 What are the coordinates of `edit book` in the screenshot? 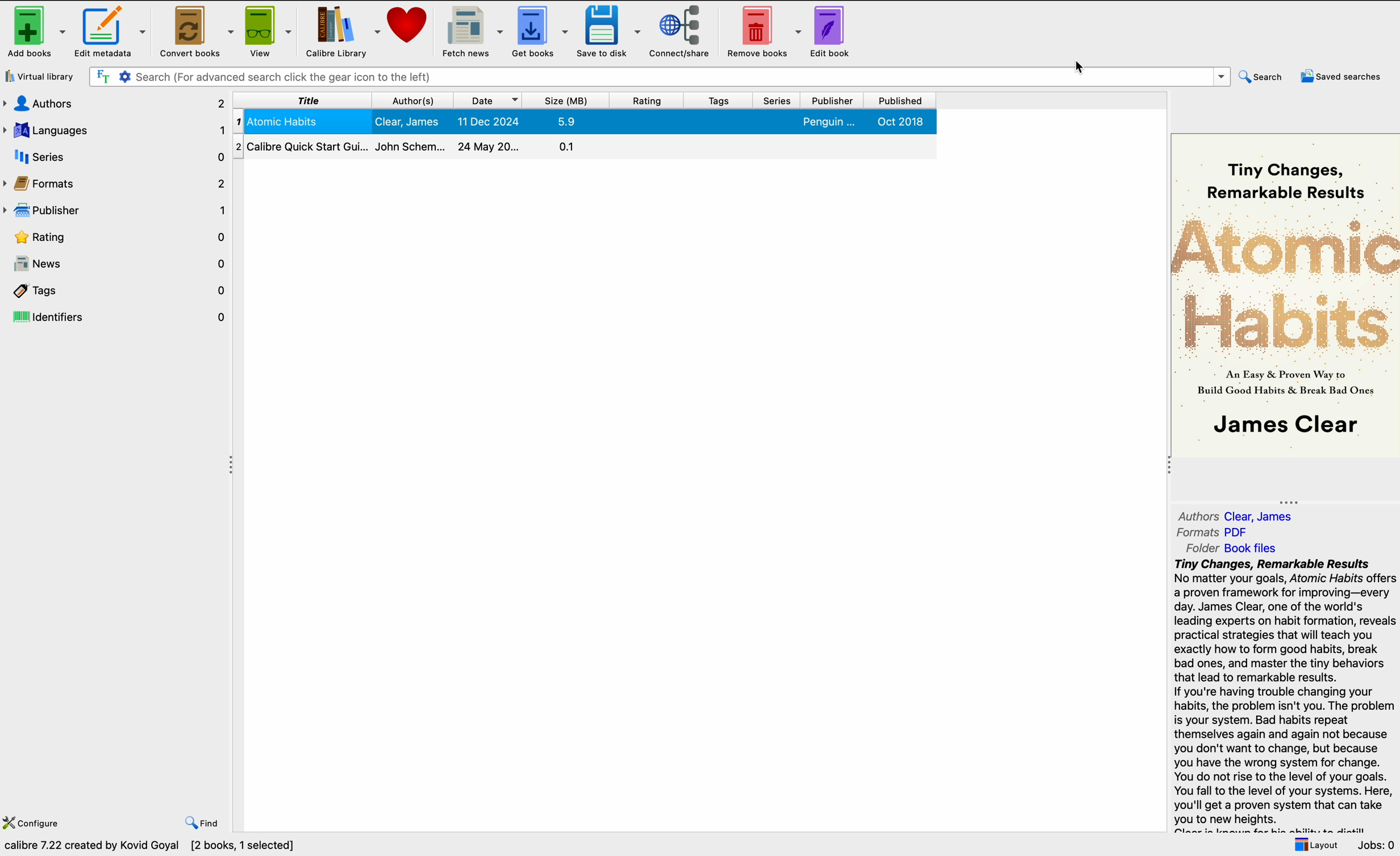 It's located at (830, 32).